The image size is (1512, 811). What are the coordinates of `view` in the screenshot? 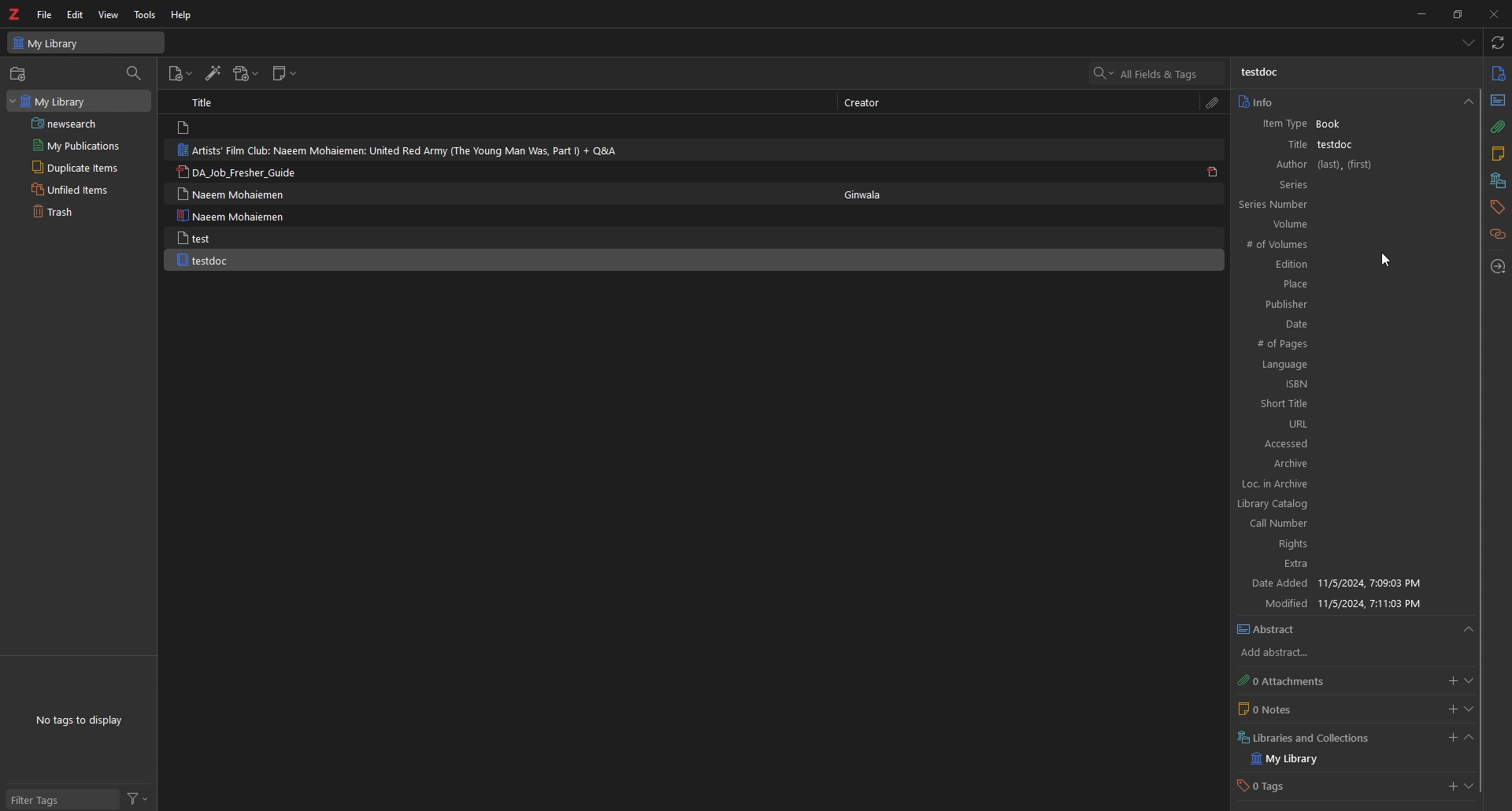 It's located at (108, 15).